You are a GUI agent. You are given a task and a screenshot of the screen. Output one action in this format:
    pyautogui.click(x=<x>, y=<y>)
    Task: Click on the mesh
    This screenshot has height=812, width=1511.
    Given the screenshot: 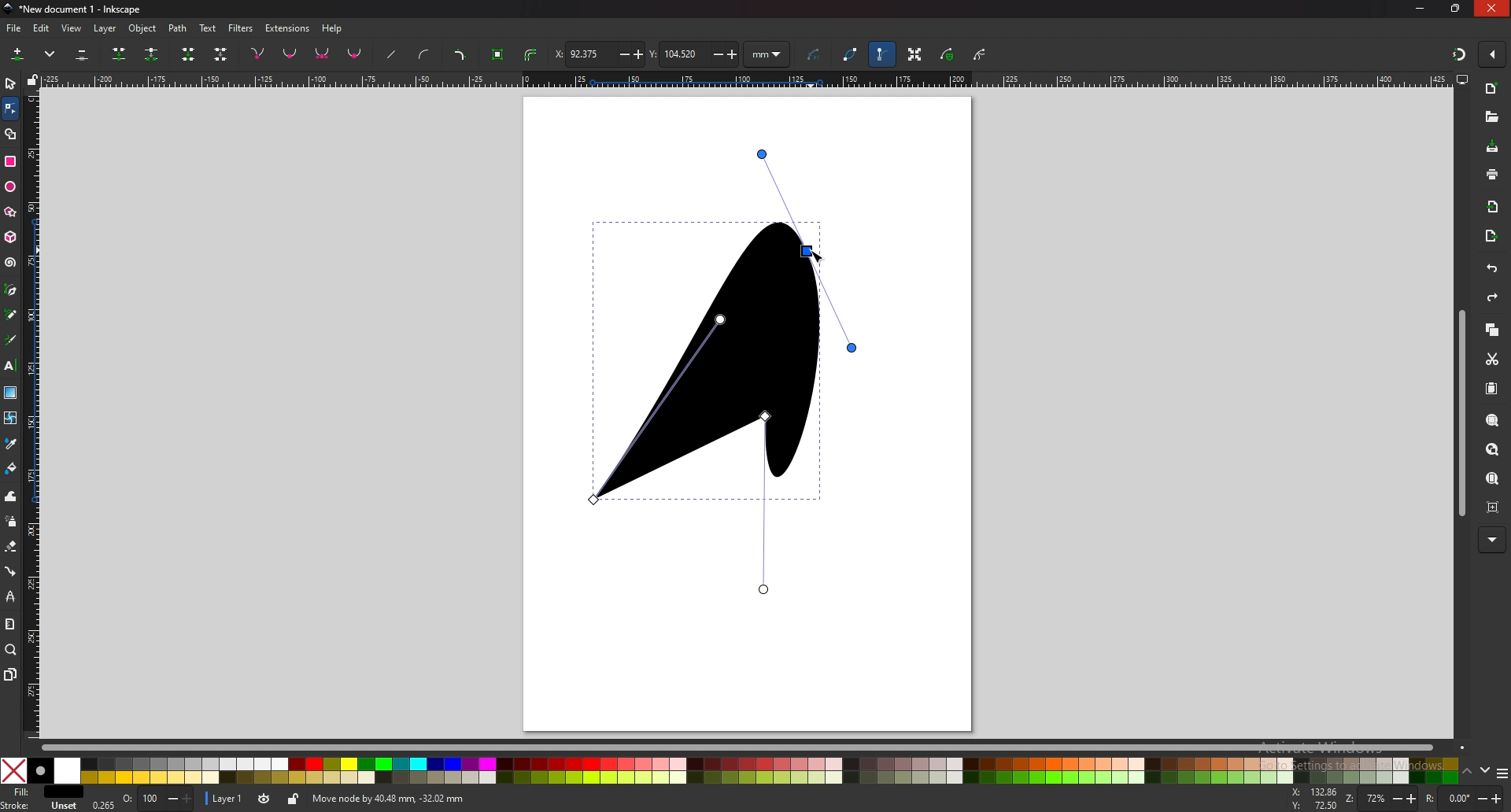 What is the action you would take?
    pyautogui.click(x=11, y=417)
    